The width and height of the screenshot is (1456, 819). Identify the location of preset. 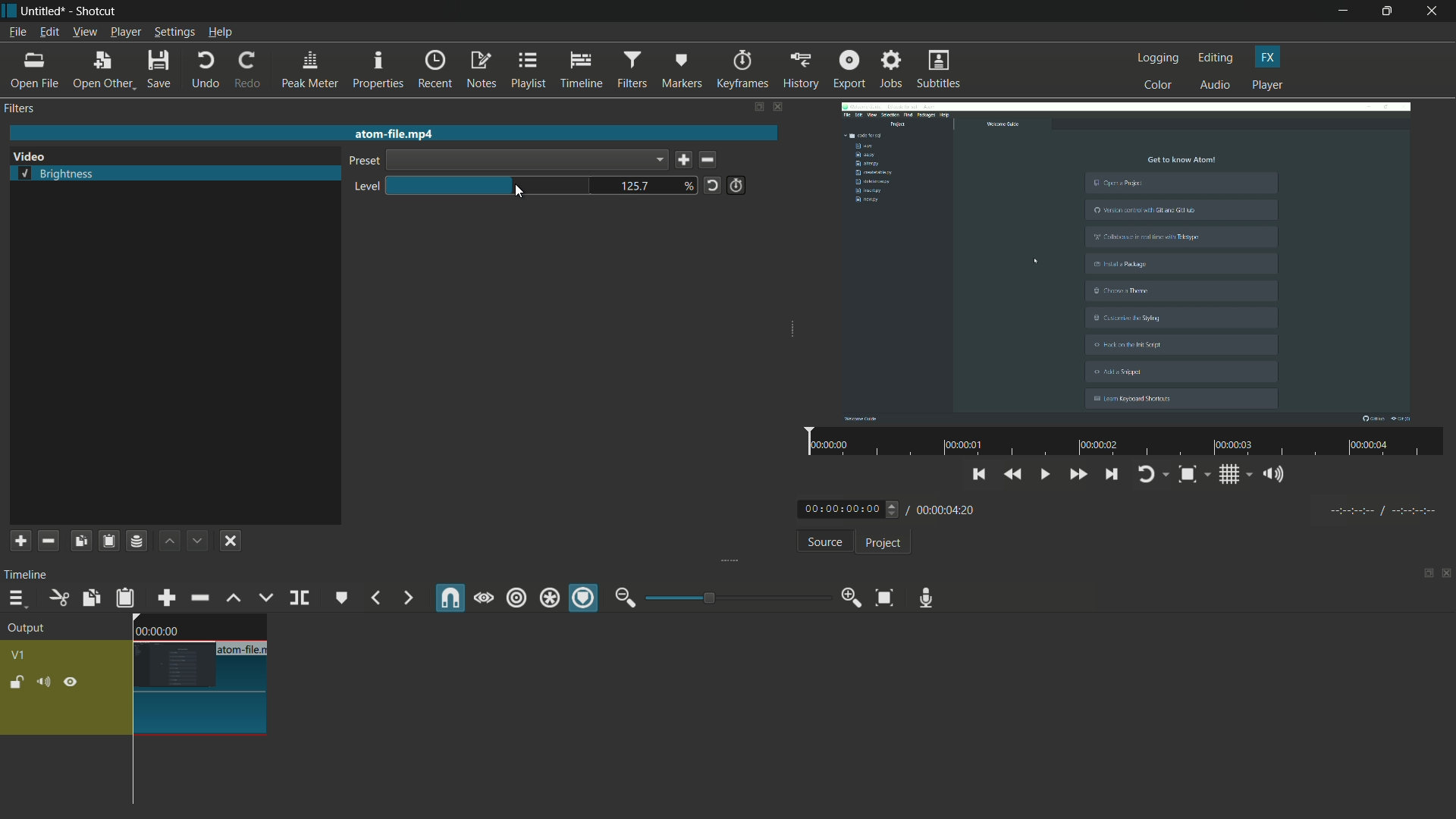
(362, 162).